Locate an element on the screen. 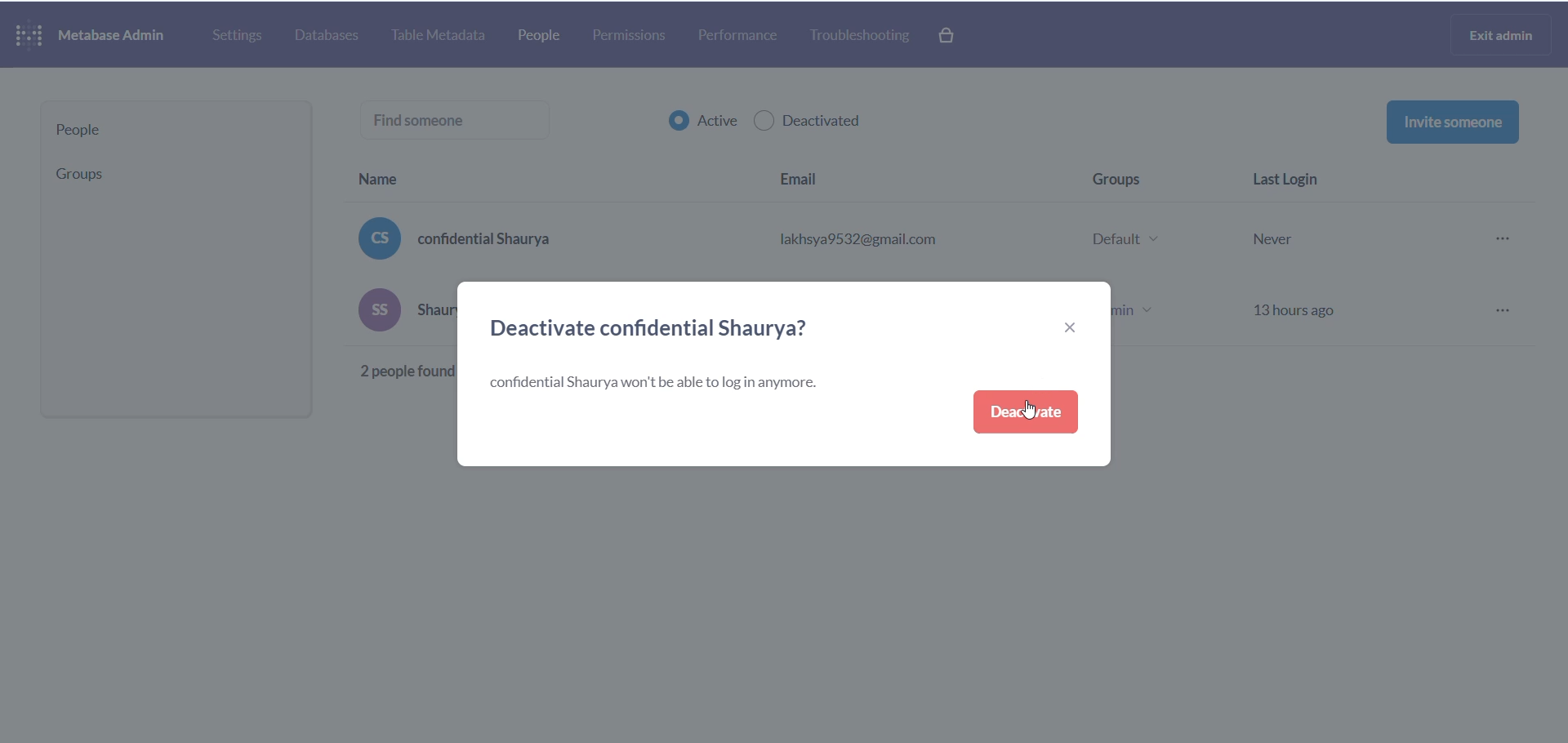 Image resolution: width=1568 pixels, height=743 pixels. table metadata is located at coordinates (439, 34).